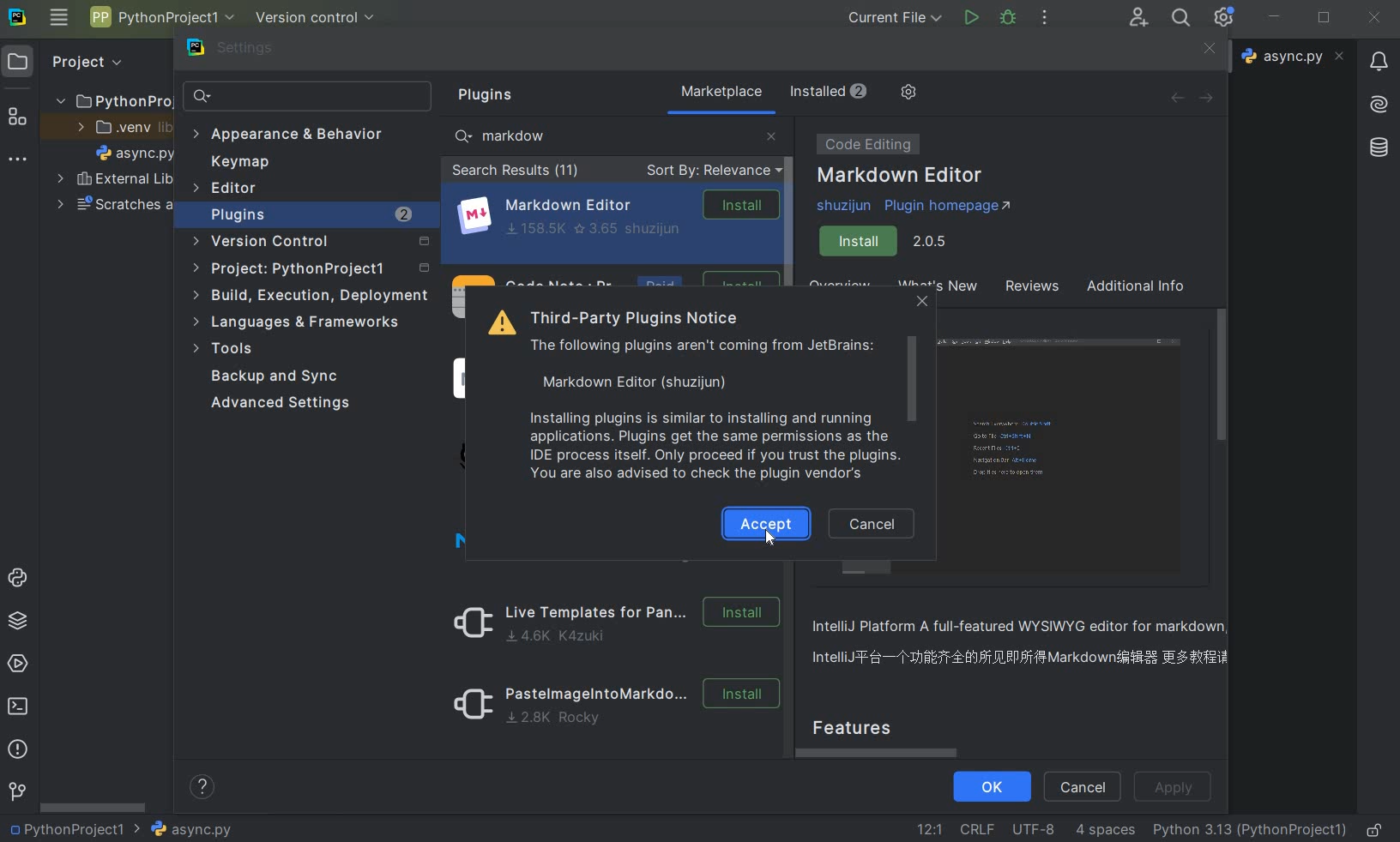 The image size is (1400, 842). Describe the element at coordinates (970, 17) in the screenshot. I see `run` at that location.